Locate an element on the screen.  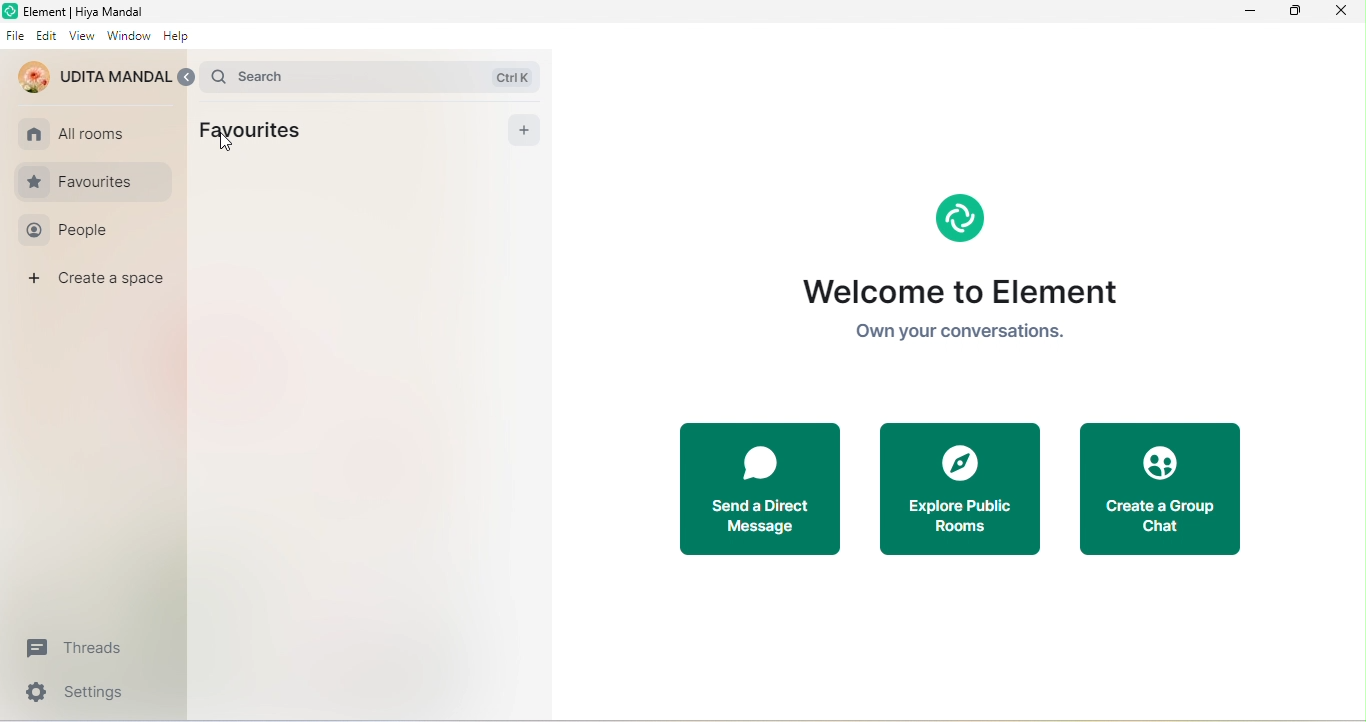
maximize is located at coordinates (1294, 12).